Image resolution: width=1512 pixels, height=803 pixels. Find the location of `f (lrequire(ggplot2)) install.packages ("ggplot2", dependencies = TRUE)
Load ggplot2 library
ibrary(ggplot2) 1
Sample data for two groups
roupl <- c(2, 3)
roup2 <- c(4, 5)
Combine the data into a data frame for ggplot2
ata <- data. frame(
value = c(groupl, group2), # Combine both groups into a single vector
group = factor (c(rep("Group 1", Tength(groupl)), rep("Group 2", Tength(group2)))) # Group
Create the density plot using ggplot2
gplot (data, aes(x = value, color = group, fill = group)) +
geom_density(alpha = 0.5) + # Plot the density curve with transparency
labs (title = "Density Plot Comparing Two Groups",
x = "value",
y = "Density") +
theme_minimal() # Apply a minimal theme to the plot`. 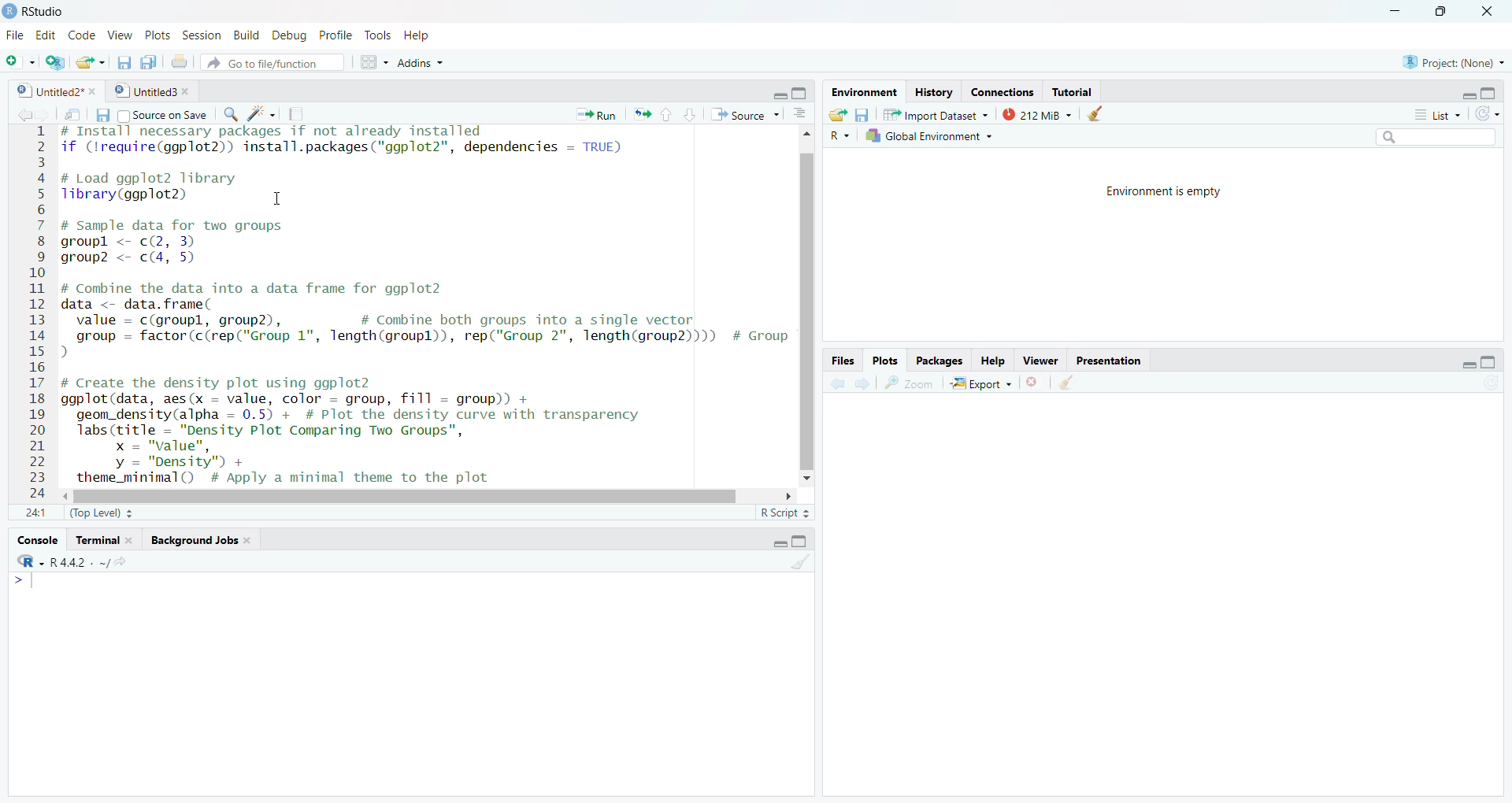

f (lrequire(ggplot2)) install.packages ("ggplot2", dependencies = TRUE)
Load ggplot2 library
ibrary(ggplot2) 1
Sample data for two groups
roupl <- c(2, 3)
roup2 <- c(4, 5)
Combine the data into a data frame for ggplot2
ata <- data. frame(
value = c(groupl, group2), # Combine both groups into a single vector
group = factor (c(rep("Group 1", Tength(groupl)), rep("Group 2", Tength(group2)))) # Group
Create the density plot using ggplot2
gplot (data, aes(x = value, color = group, fill = group)) +
geom_density(alpha = 0.5) + # Plot the density curve with transparency
labs (title = "Density Plot Comparing Two Groups",
x = "value",
y = "Density") +
theme_minimal() # Apply a minimal theme to the plot is located at coordinates (406, 305).